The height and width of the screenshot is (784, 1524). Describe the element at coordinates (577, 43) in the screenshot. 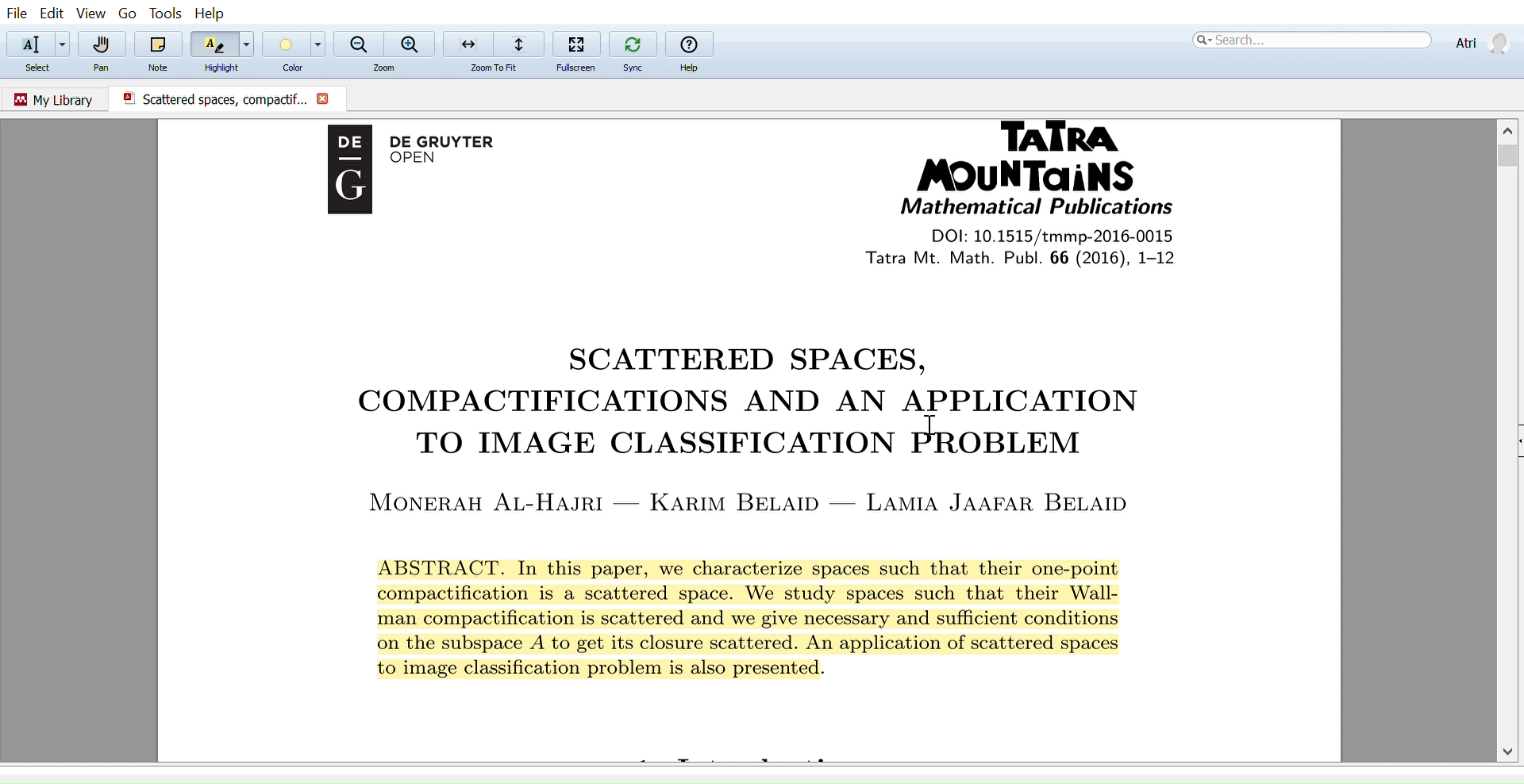

I see `Fullscreen` at that location.